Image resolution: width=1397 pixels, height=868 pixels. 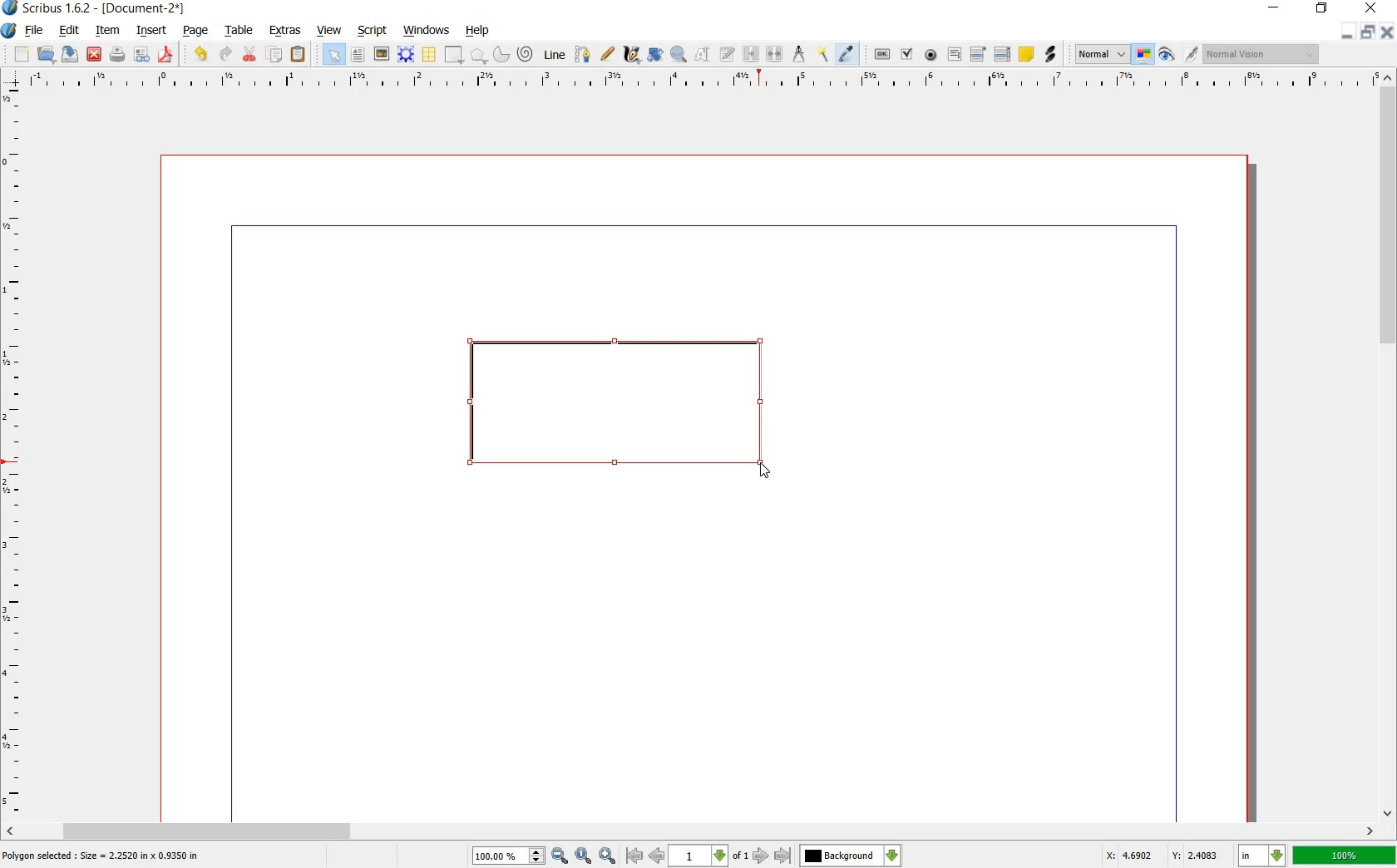 I want to click on RULER, so click(x=14, y=452).